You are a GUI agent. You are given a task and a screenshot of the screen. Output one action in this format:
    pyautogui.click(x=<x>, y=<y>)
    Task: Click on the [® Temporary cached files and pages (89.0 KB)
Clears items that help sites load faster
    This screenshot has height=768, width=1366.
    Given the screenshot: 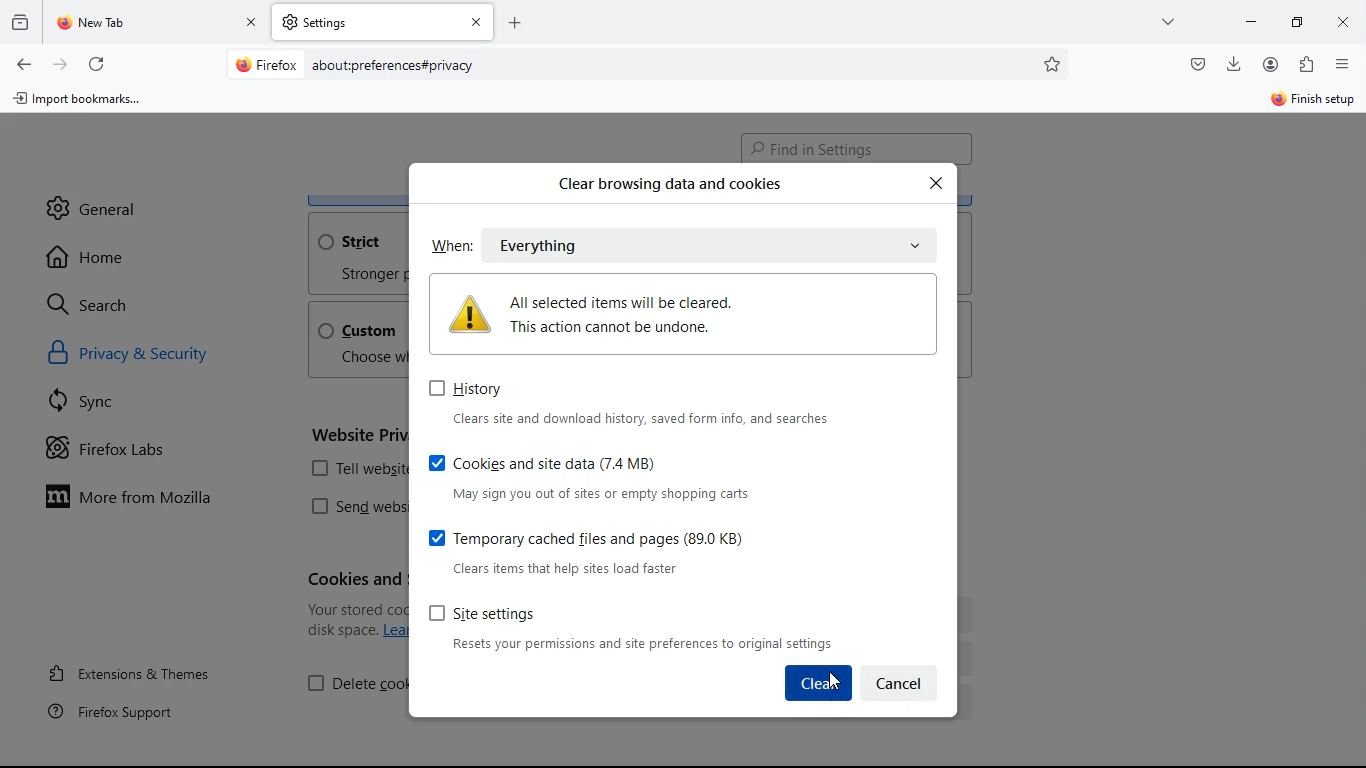 What is the action you would take?
    pyautogui.click(x=626, y=551)
    